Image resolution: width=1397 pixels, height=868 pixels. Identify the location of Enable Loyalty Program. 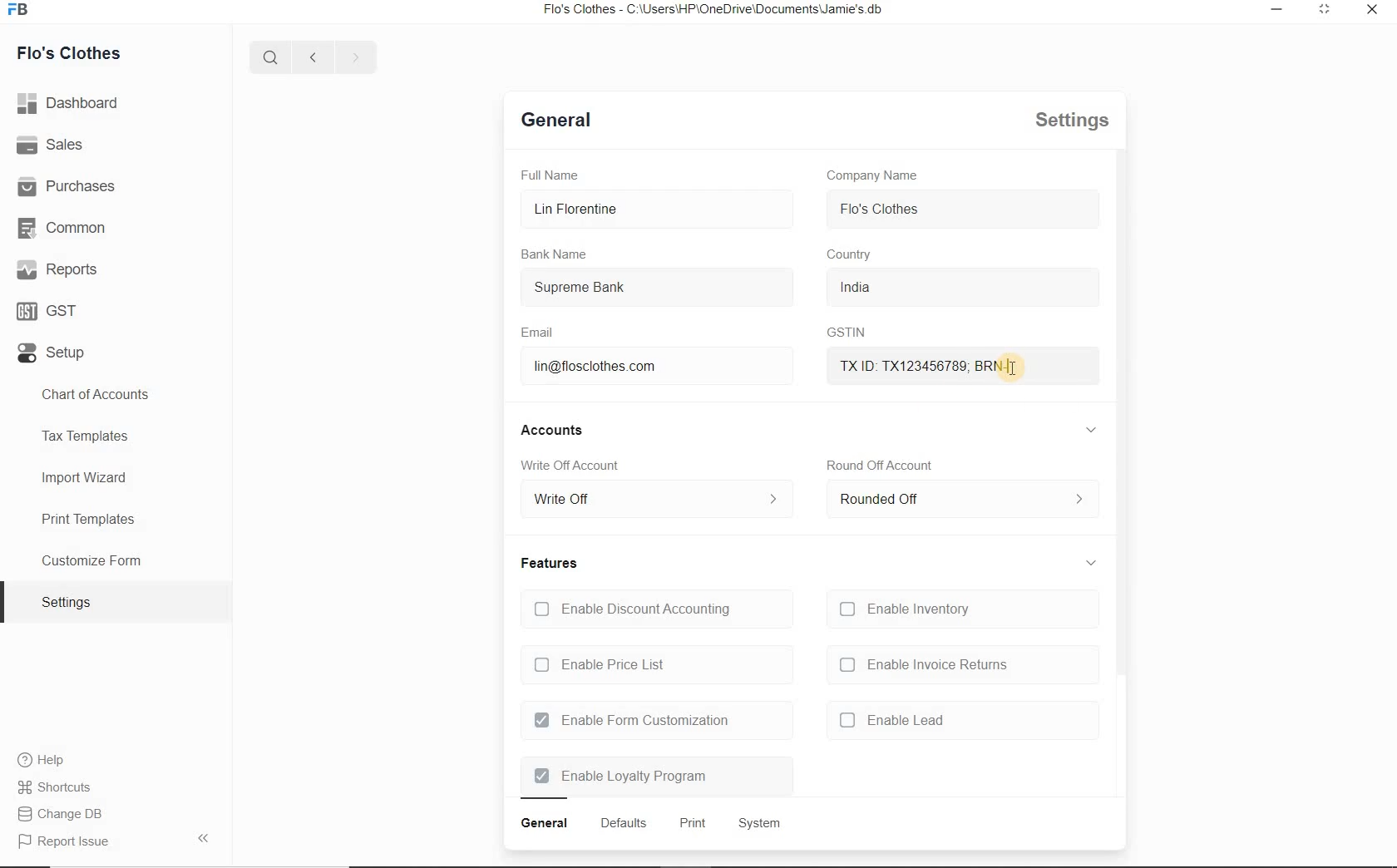
(621, 777).